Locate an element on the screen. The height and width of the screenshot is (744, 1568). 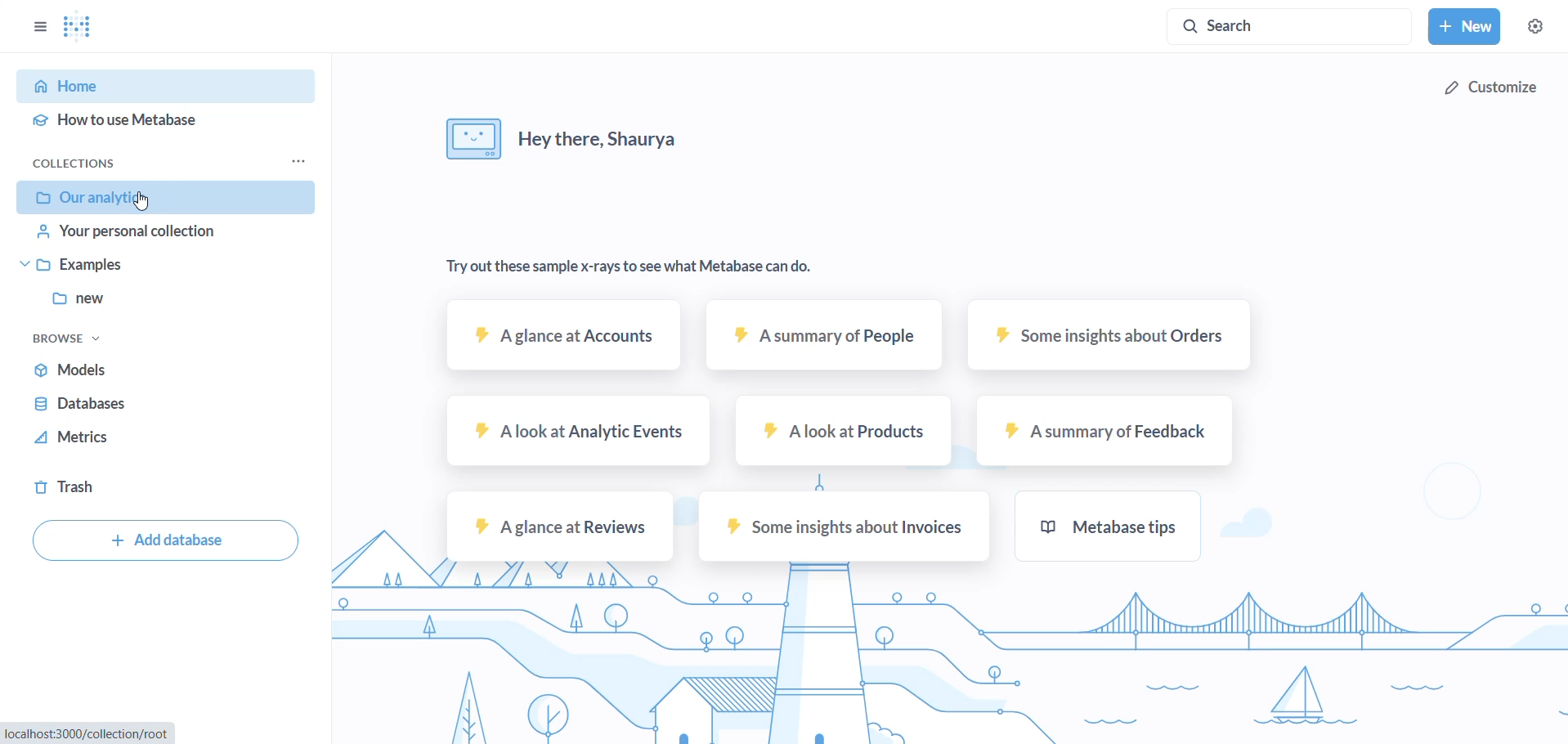
show/hide sidebar is located at coordinates (35, 25).